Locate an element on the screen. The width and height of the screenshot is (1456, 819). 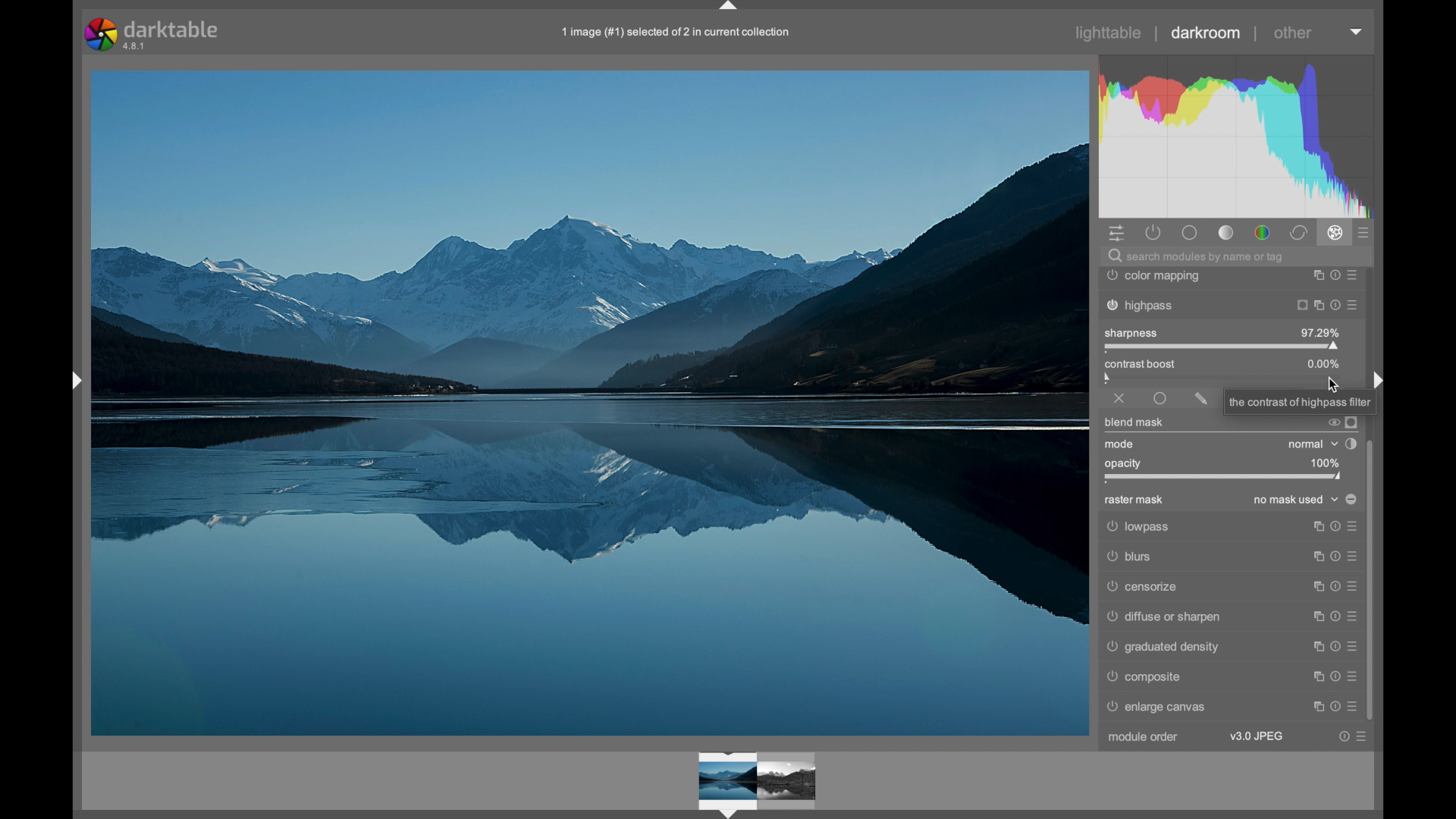
graduated density is located at coordinates (1163, 647).